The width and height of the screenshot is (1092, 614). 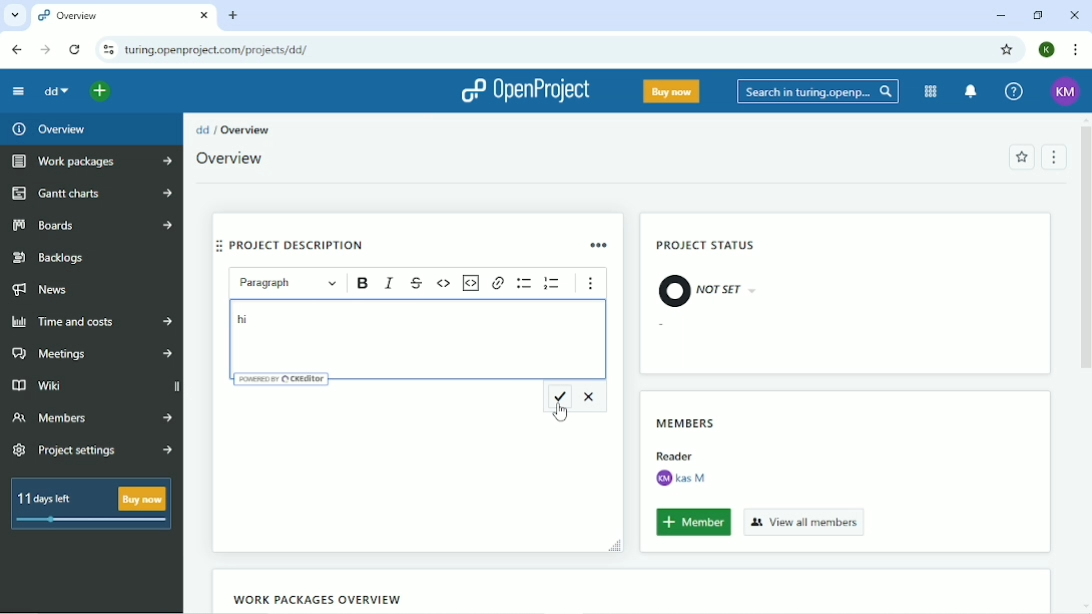 I want to click on Code, so click(x=444, y=283).